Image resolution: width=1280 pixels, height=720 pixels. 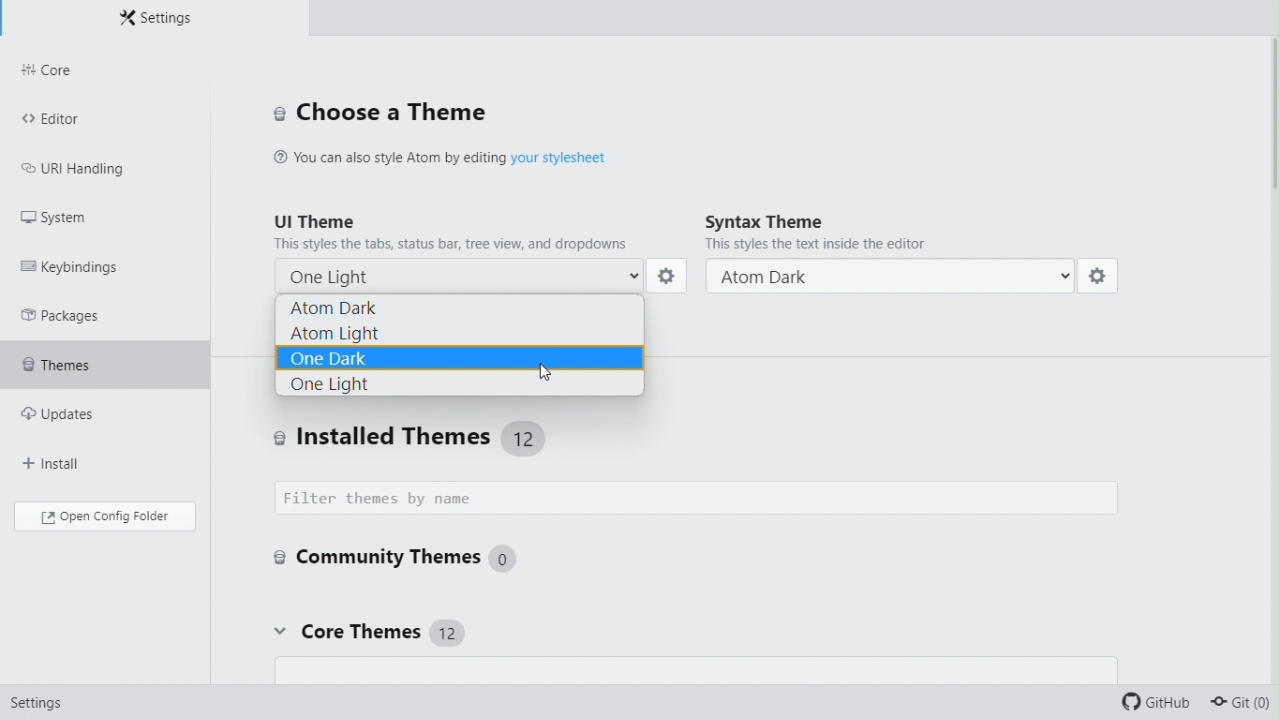 What do you see at coordinates (66, 218) in the screenshot?
I see `System` at bounding box center [66, 218].